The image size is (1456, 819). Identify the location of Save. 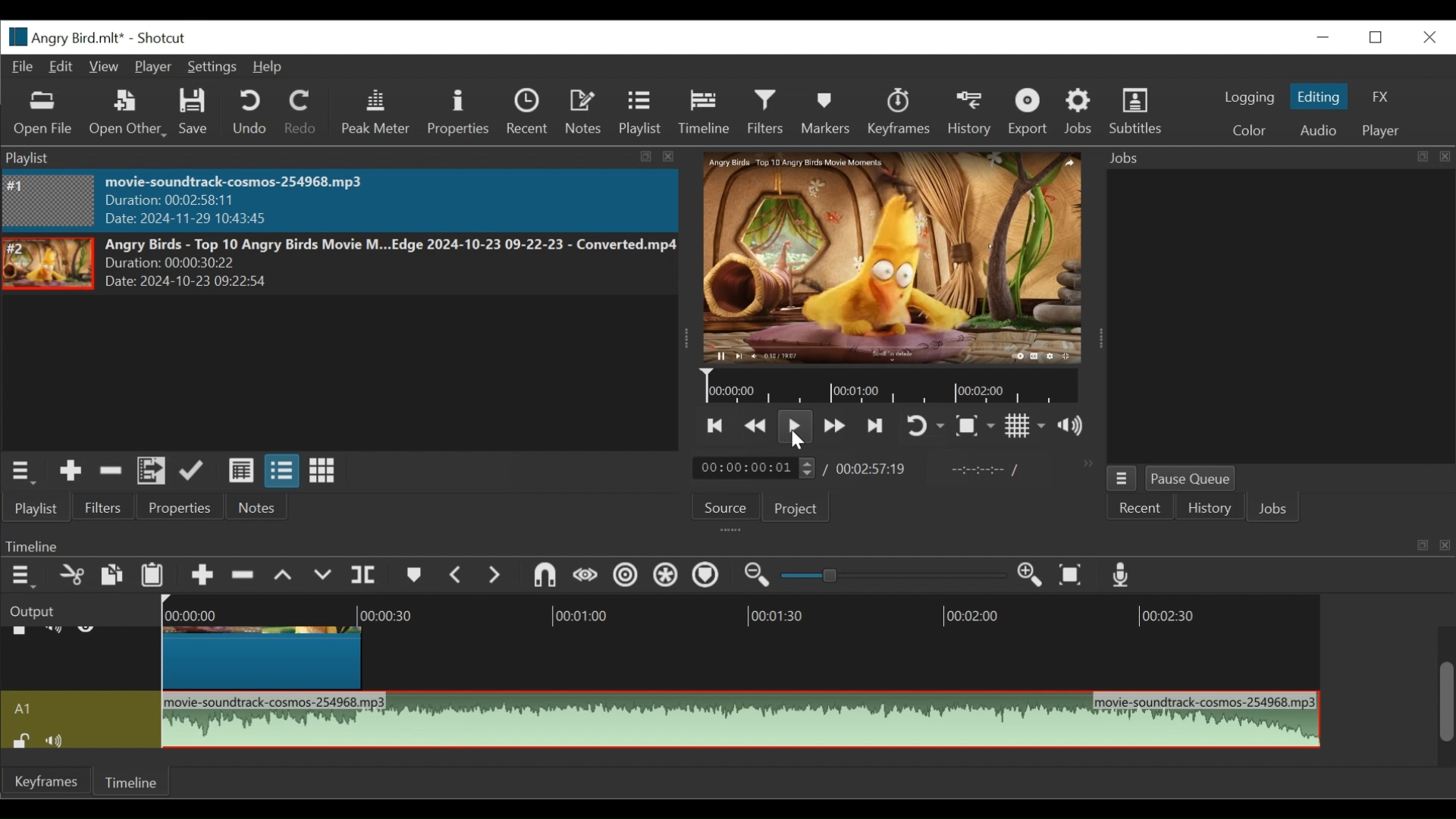
(196, 113).